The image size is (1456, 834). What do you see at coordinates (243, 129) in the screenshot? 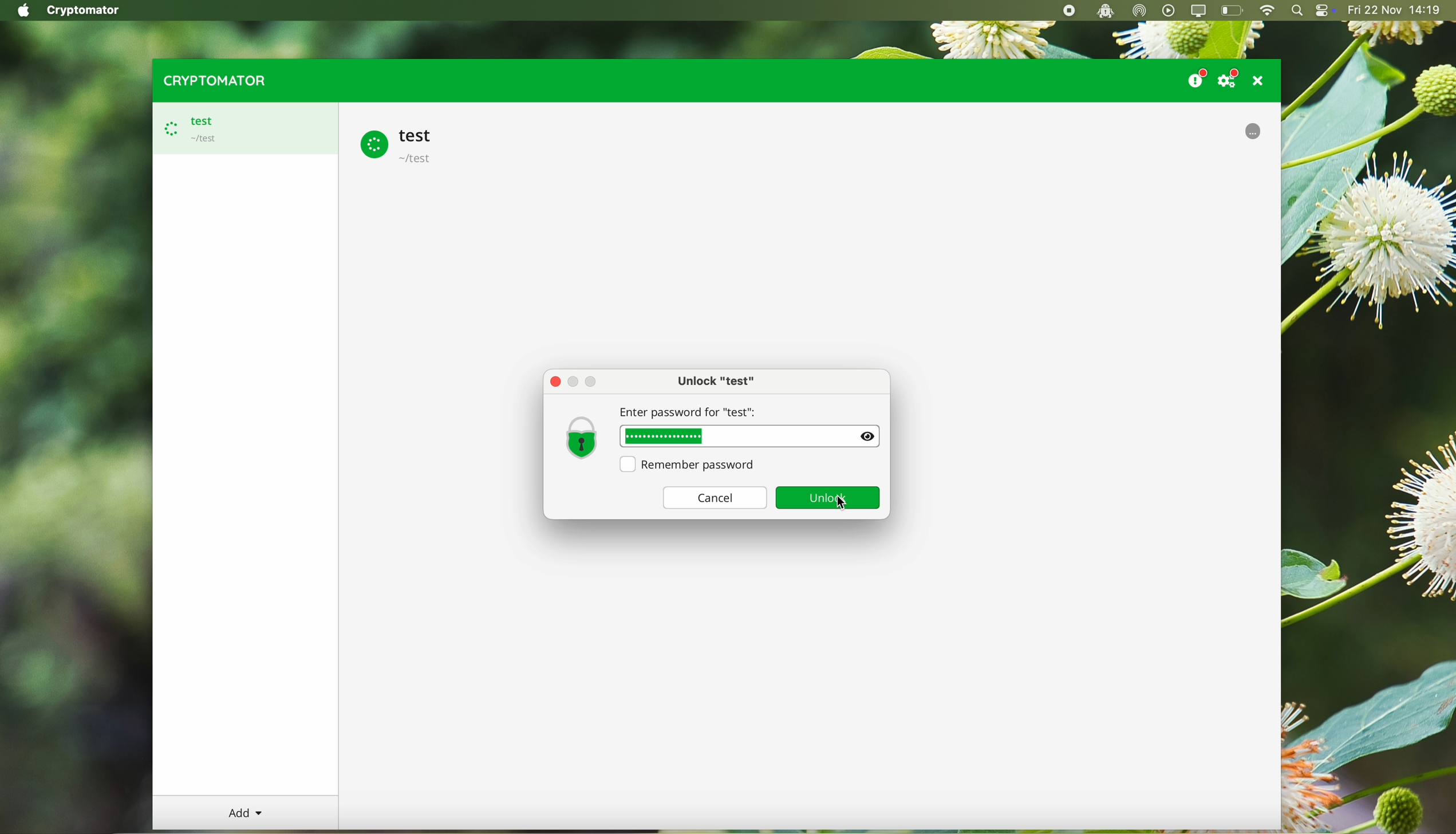
I see `test` at bounding box center [243, 129].